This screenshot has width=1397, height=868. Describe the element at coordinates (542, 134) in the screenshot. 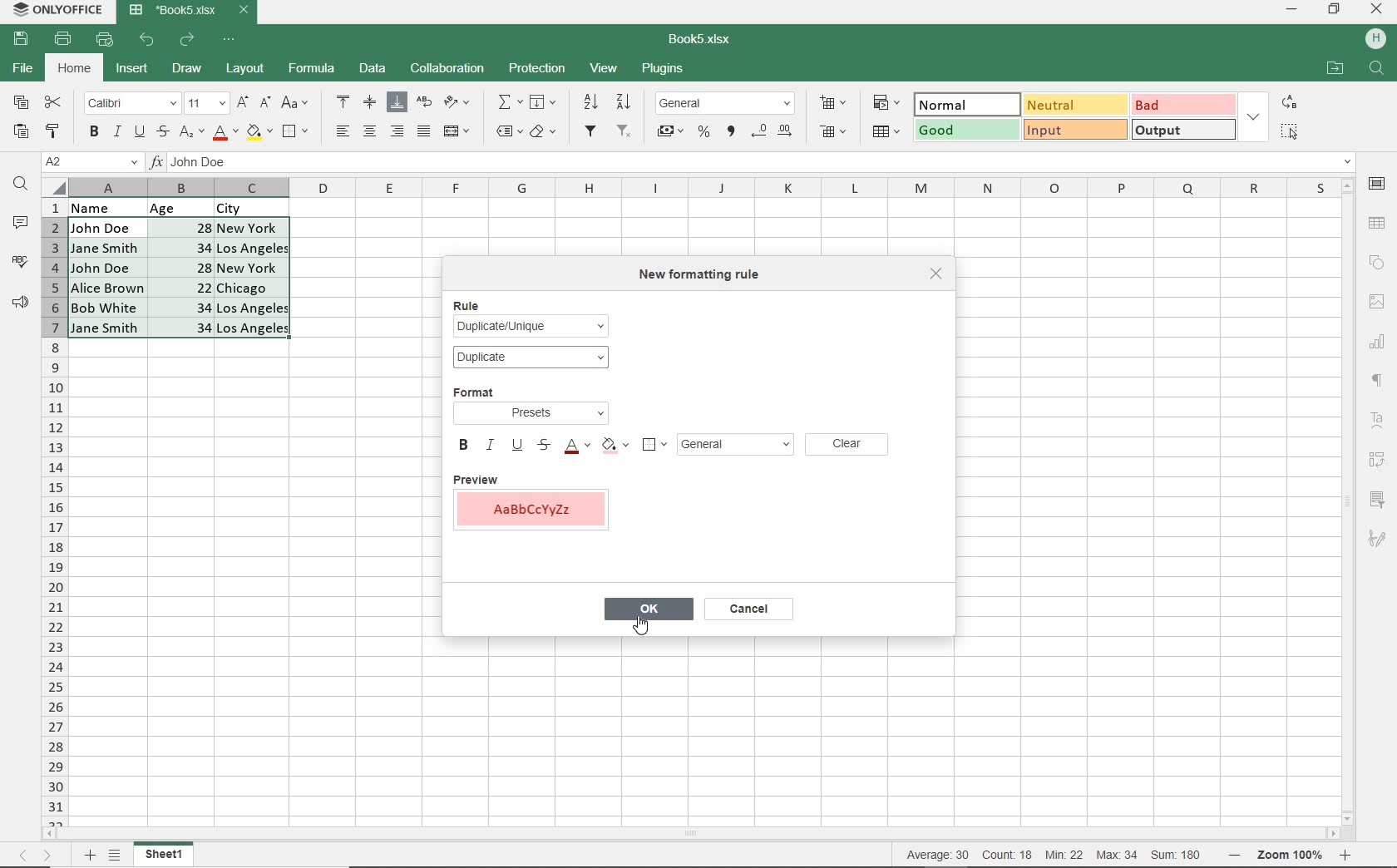

I see `CLEAR` at that location.